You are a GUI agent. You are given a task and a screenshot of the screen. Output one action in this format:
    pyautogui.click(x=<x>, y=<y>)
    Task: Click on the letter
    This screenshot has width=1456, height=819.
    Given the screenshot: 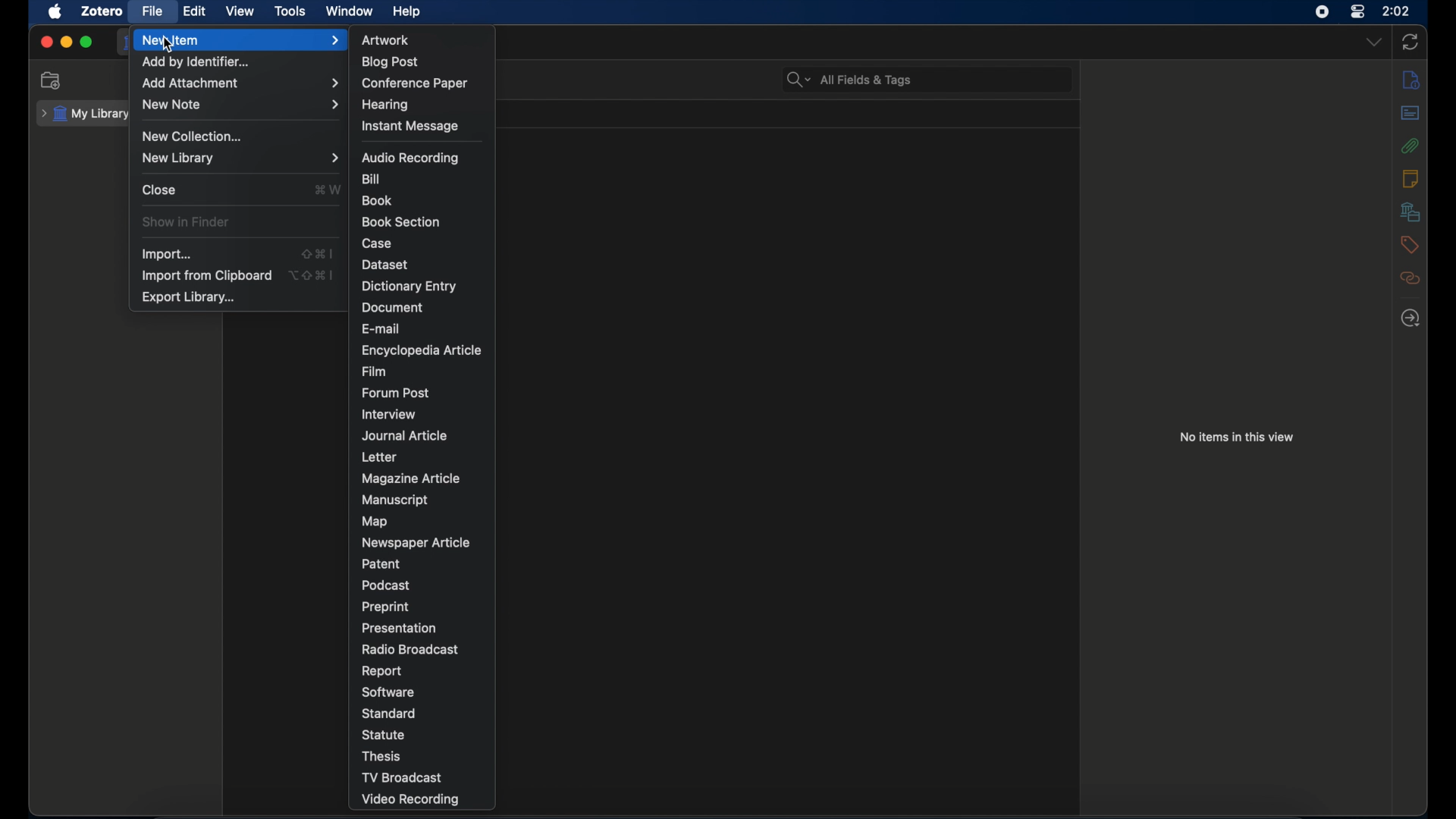 What is the action you would take?
    pyautogui.click(x=378, y=457)
    